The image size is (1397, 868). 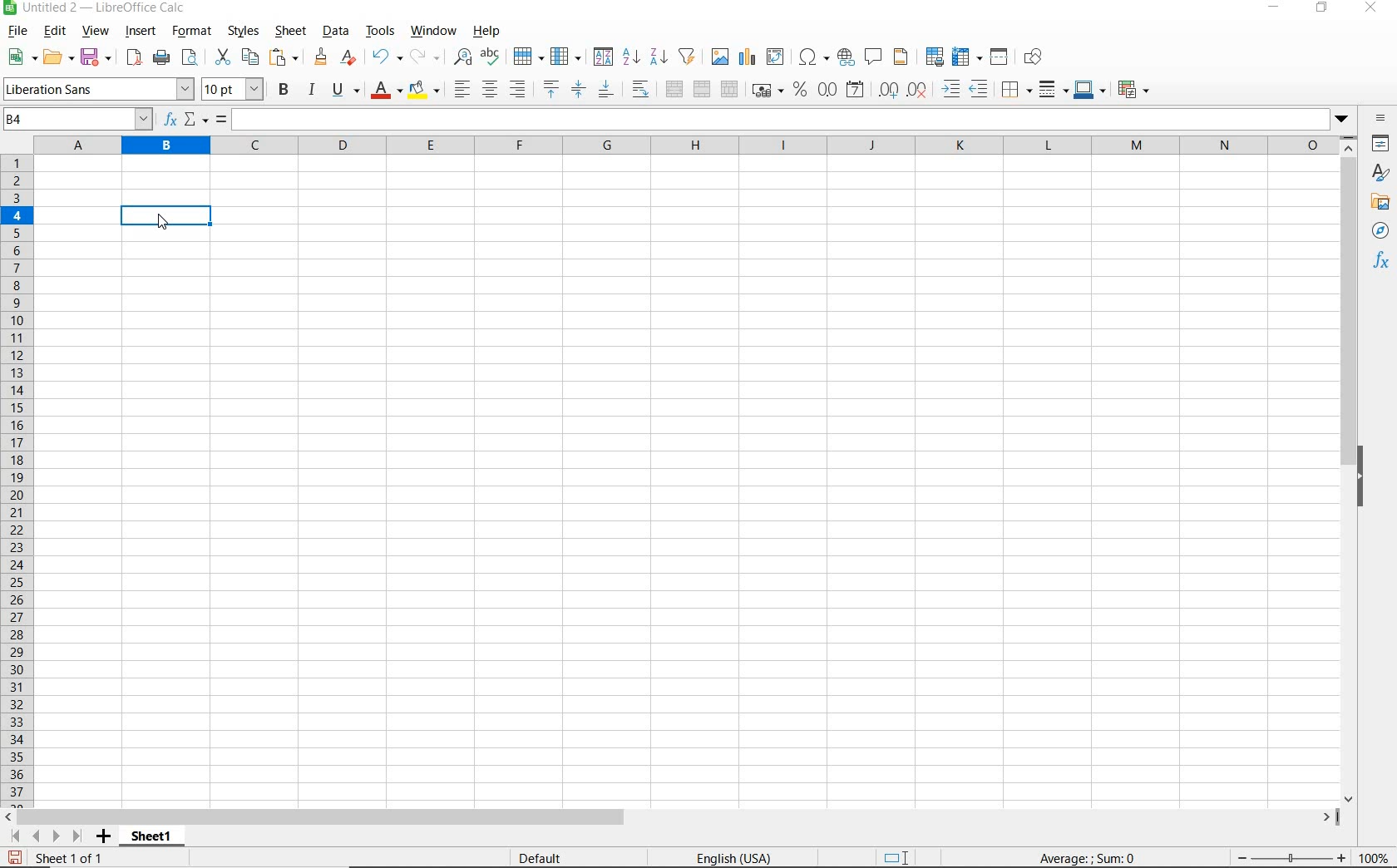 I want to click on functions, so click(x=1380, y=263).